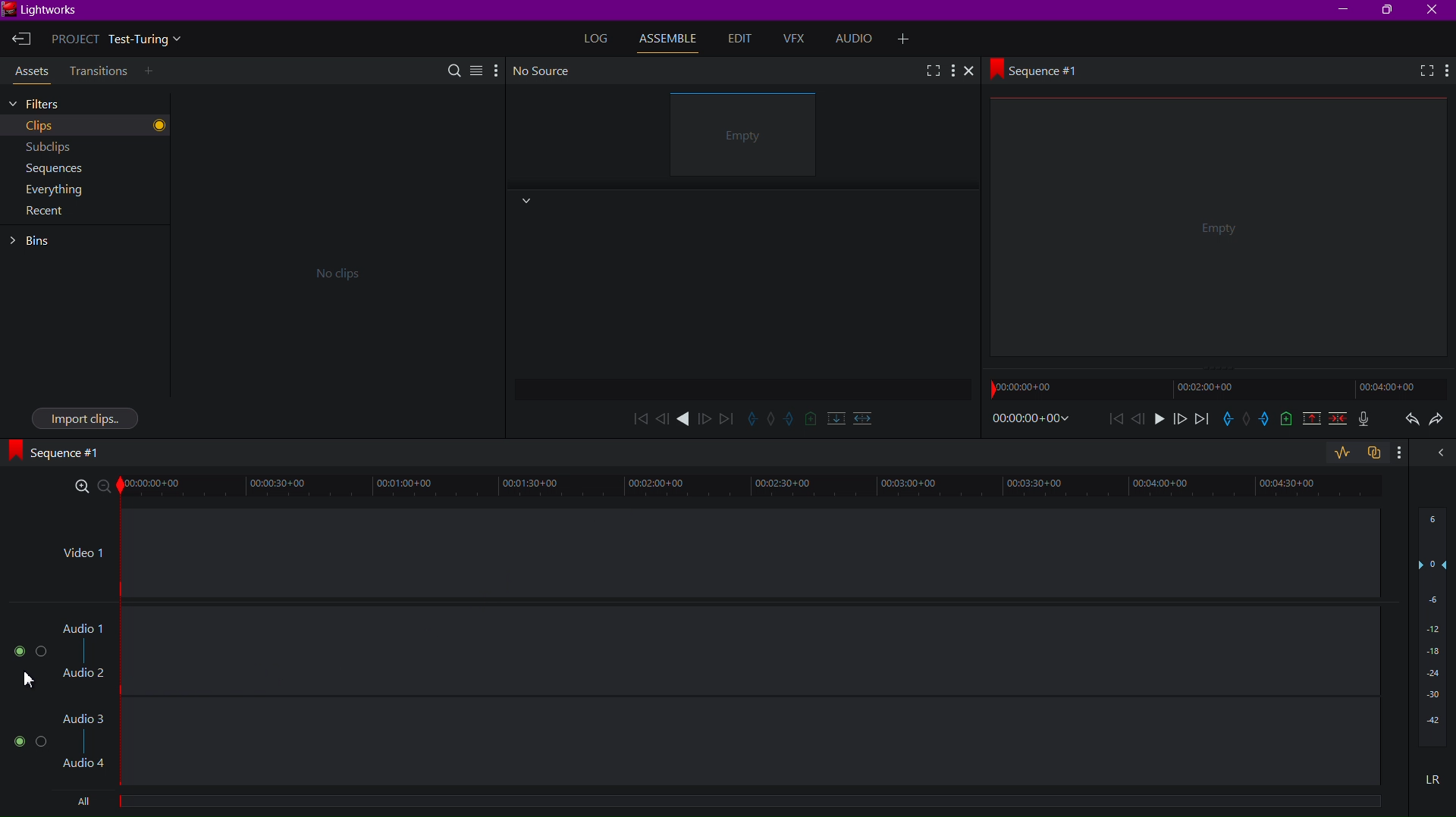 Image resolution: width=1456 pixels, height=817 pixels. I want to click on Source View, so click(747, 137).